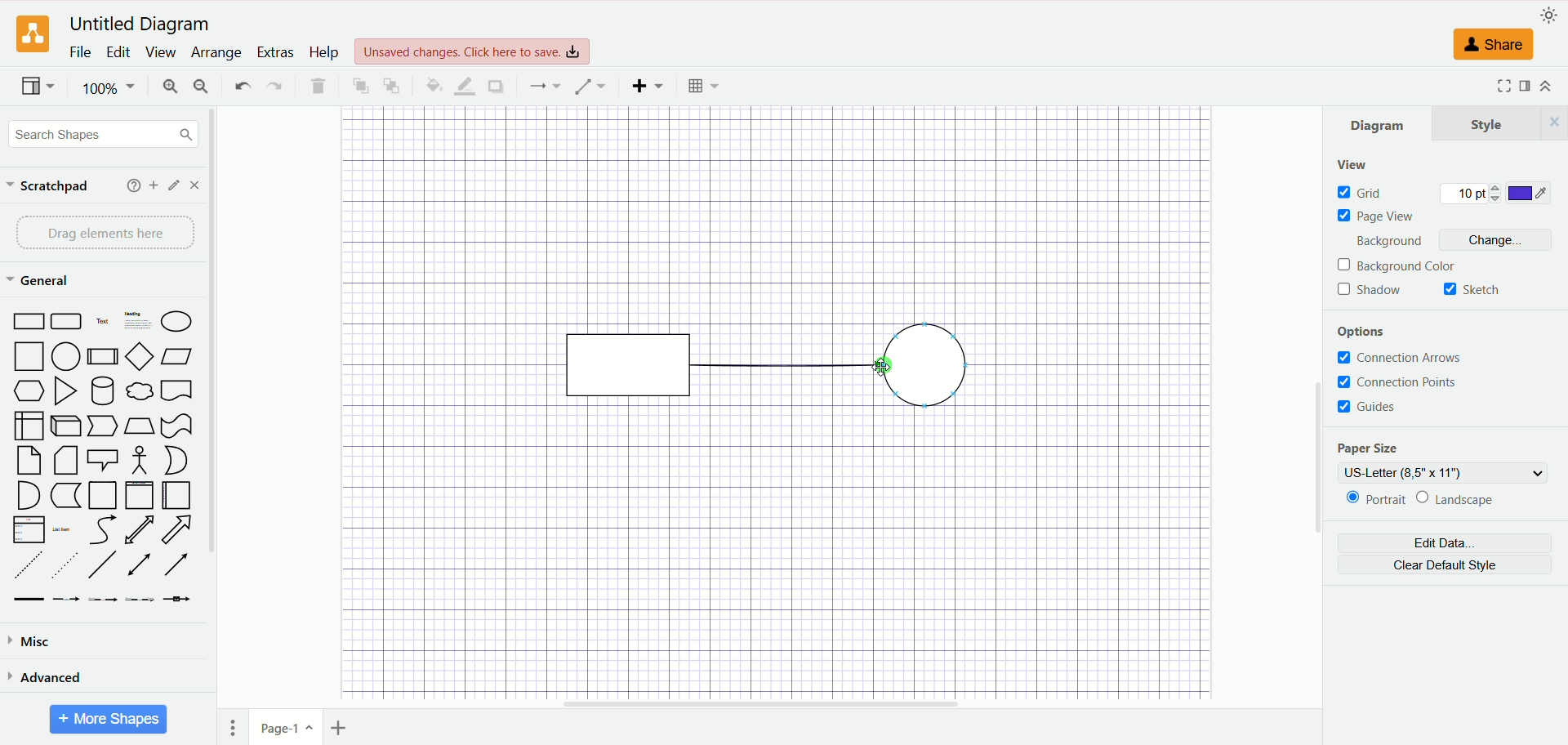 The width and height of the screenshot is (1568, 745). Describe the element at coordinates (103, 356) in the screenshot. I see `Divided Bar` at that location.